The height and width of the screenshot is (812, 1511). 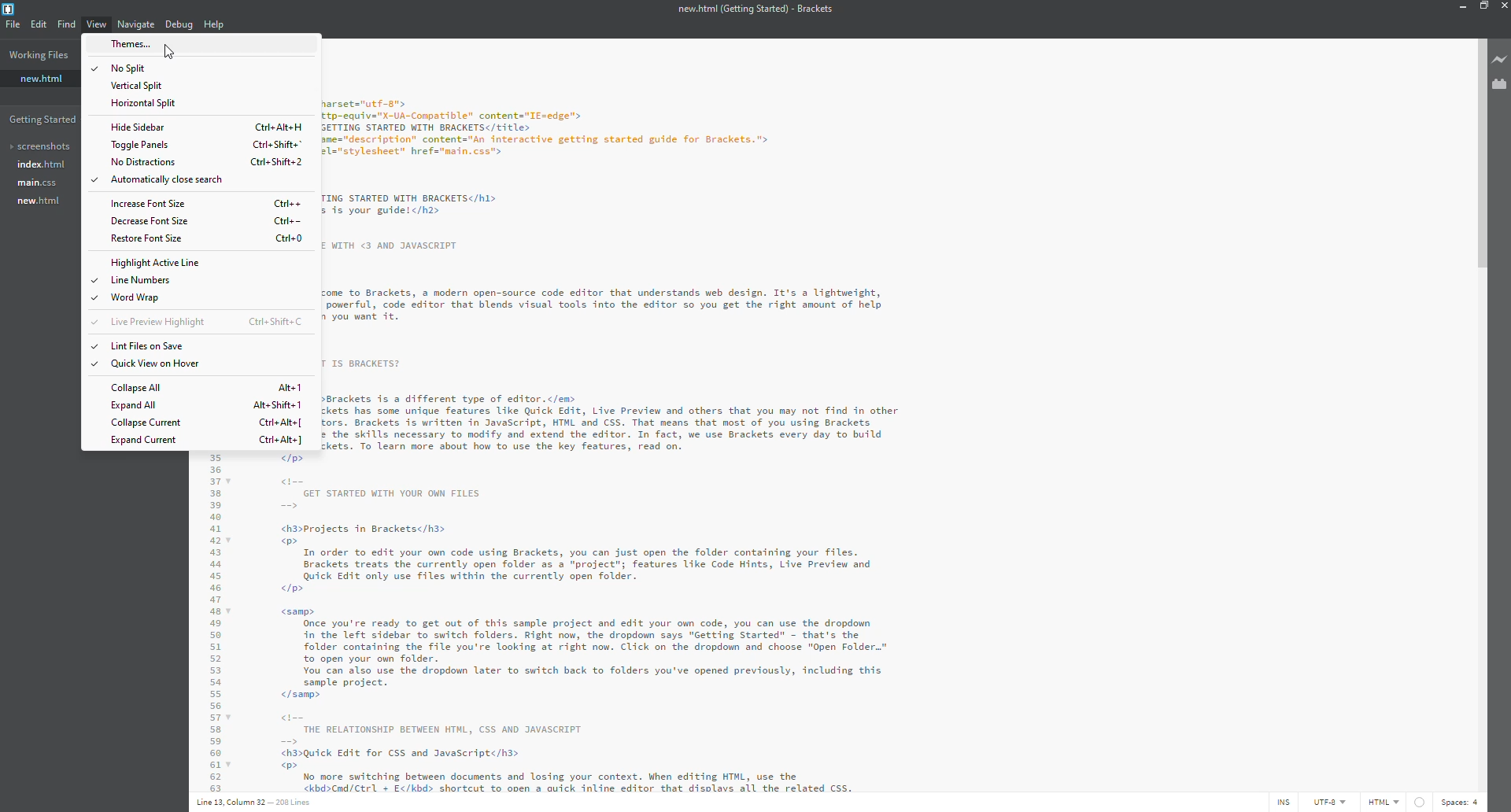 What do you see at coordinates (753, 10) in the screenshot?
I see `brackets` at bounding box center [753, 10].